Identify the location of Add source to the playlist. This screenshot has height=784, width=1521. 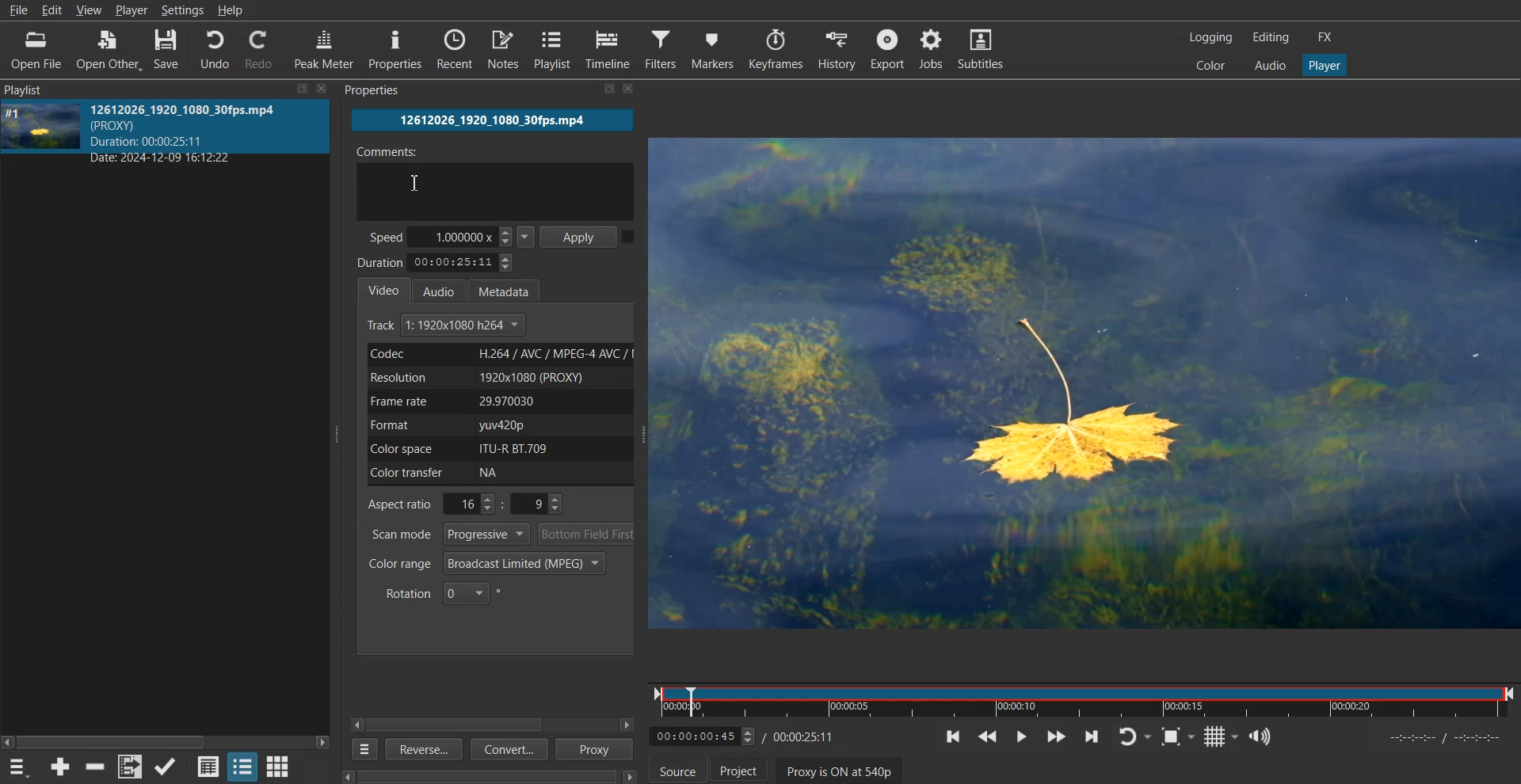
(60, 766).